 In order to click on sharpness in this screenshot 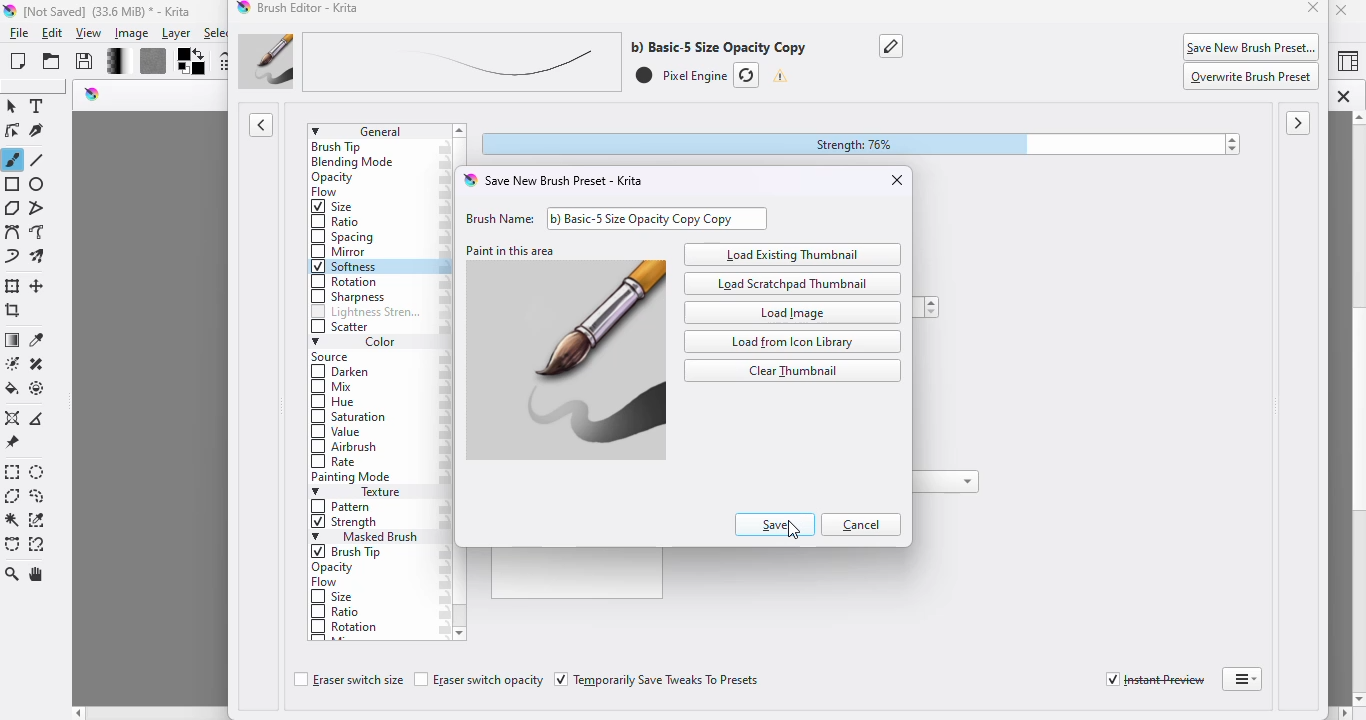, I will do `click(348, 297)`.